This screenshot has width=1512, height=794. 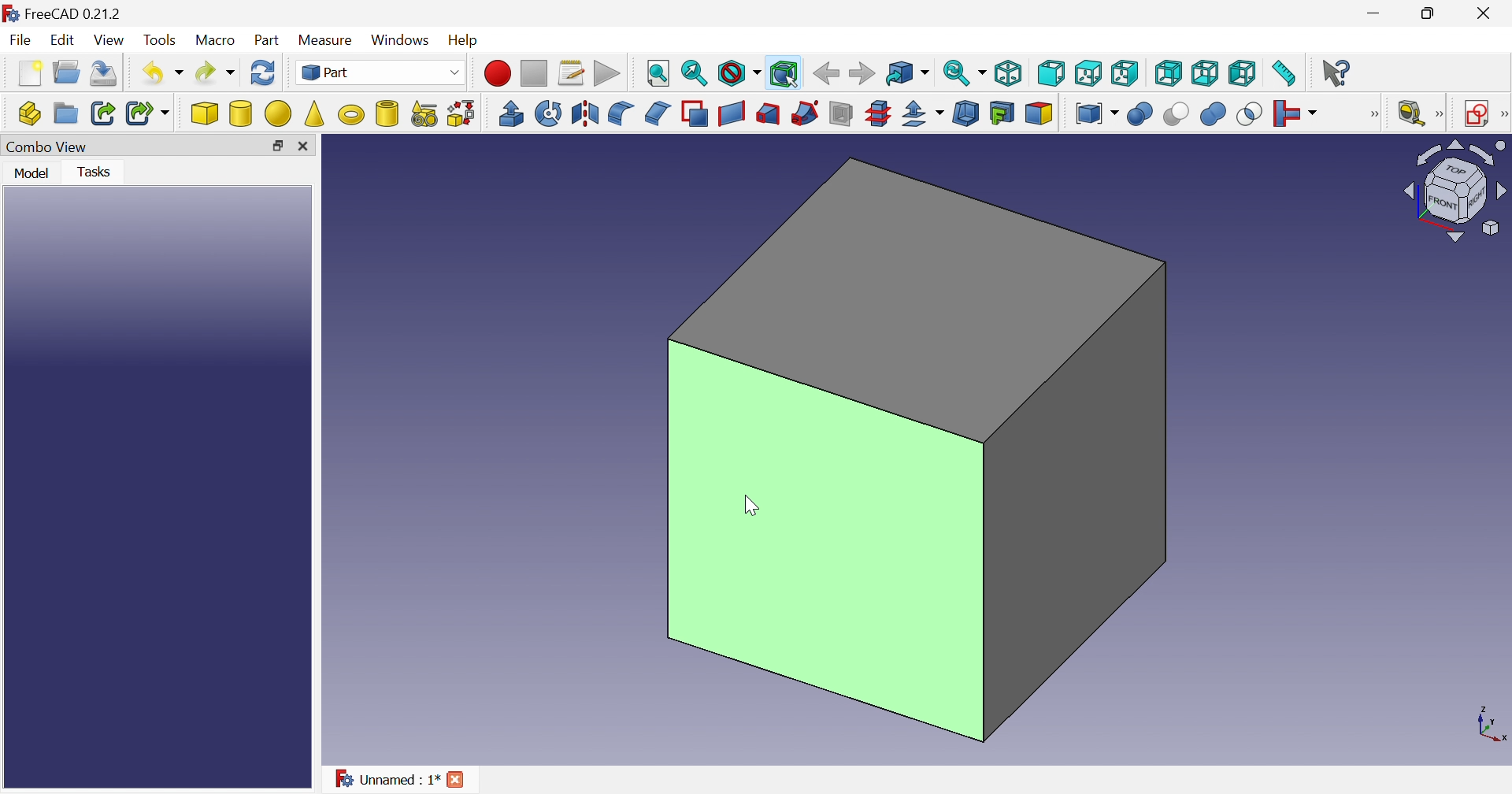 What do you see at coordinates (30, 172) in the screenshot?
I see `Model` at bounding box center [30, 172].